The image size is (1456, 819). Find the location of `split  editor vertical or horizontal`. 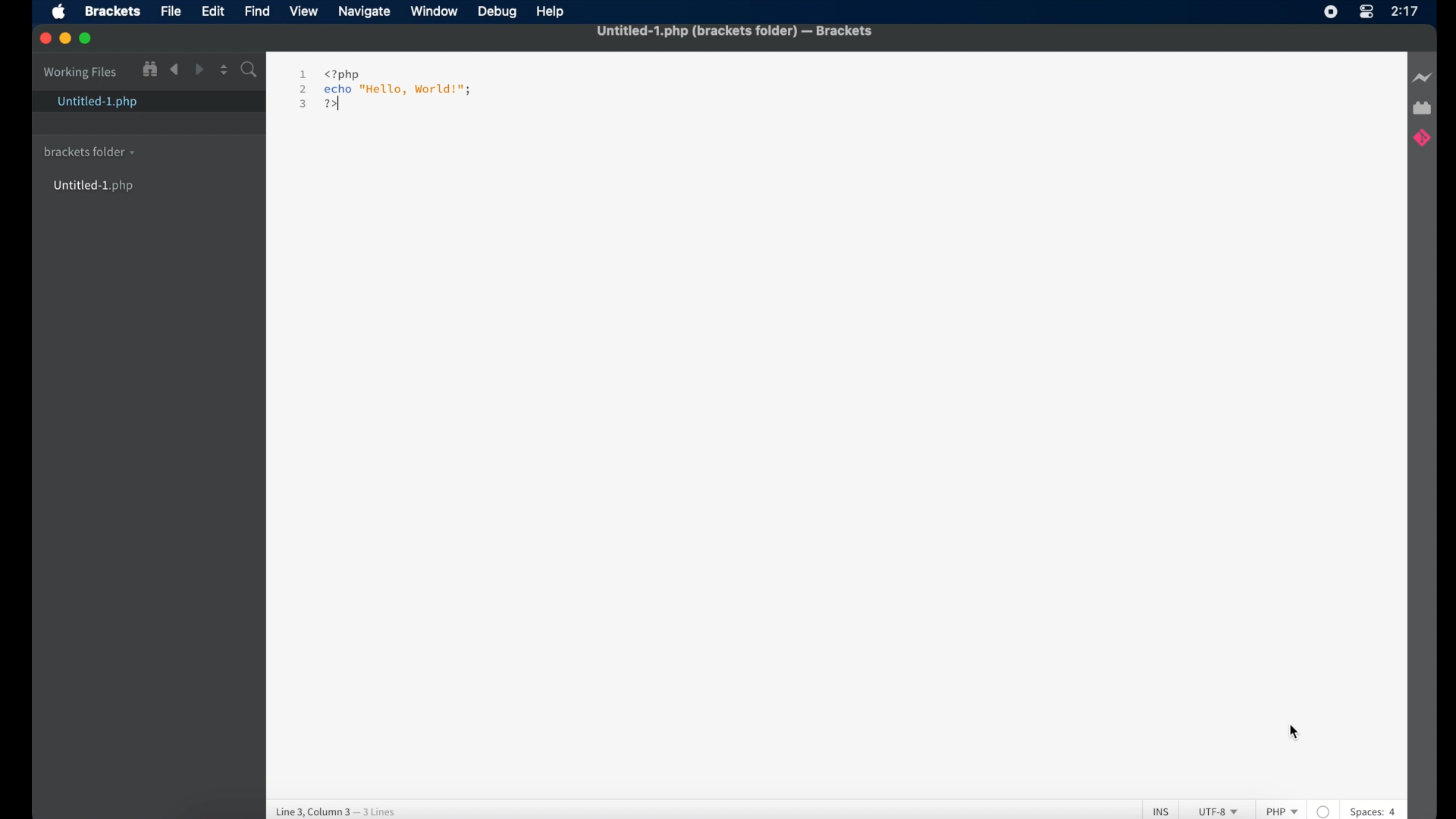

split  editor vertical or horizontal is located at coordinates (222, 70).